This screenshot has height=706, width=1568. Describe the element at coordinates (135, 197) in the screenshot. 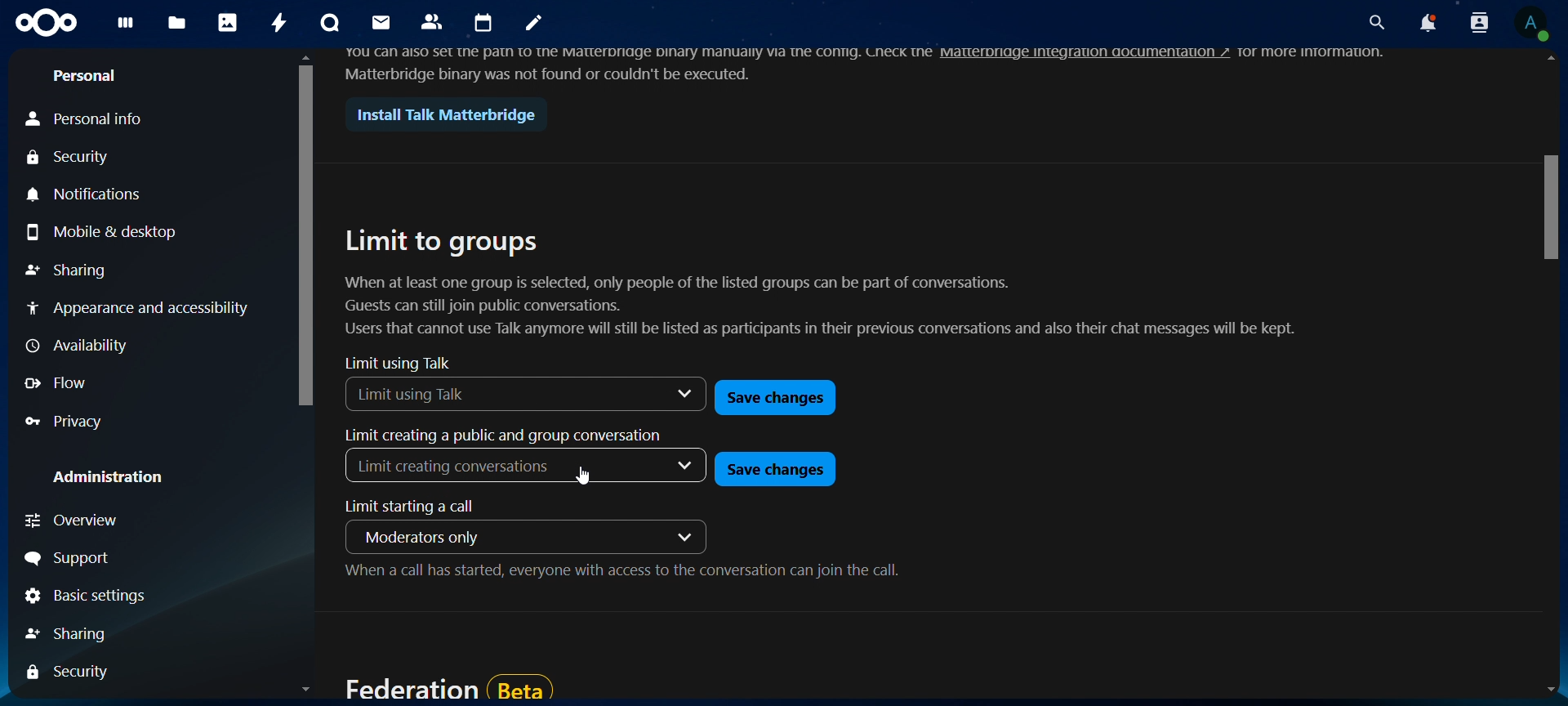

I see `Notifications` at that location.